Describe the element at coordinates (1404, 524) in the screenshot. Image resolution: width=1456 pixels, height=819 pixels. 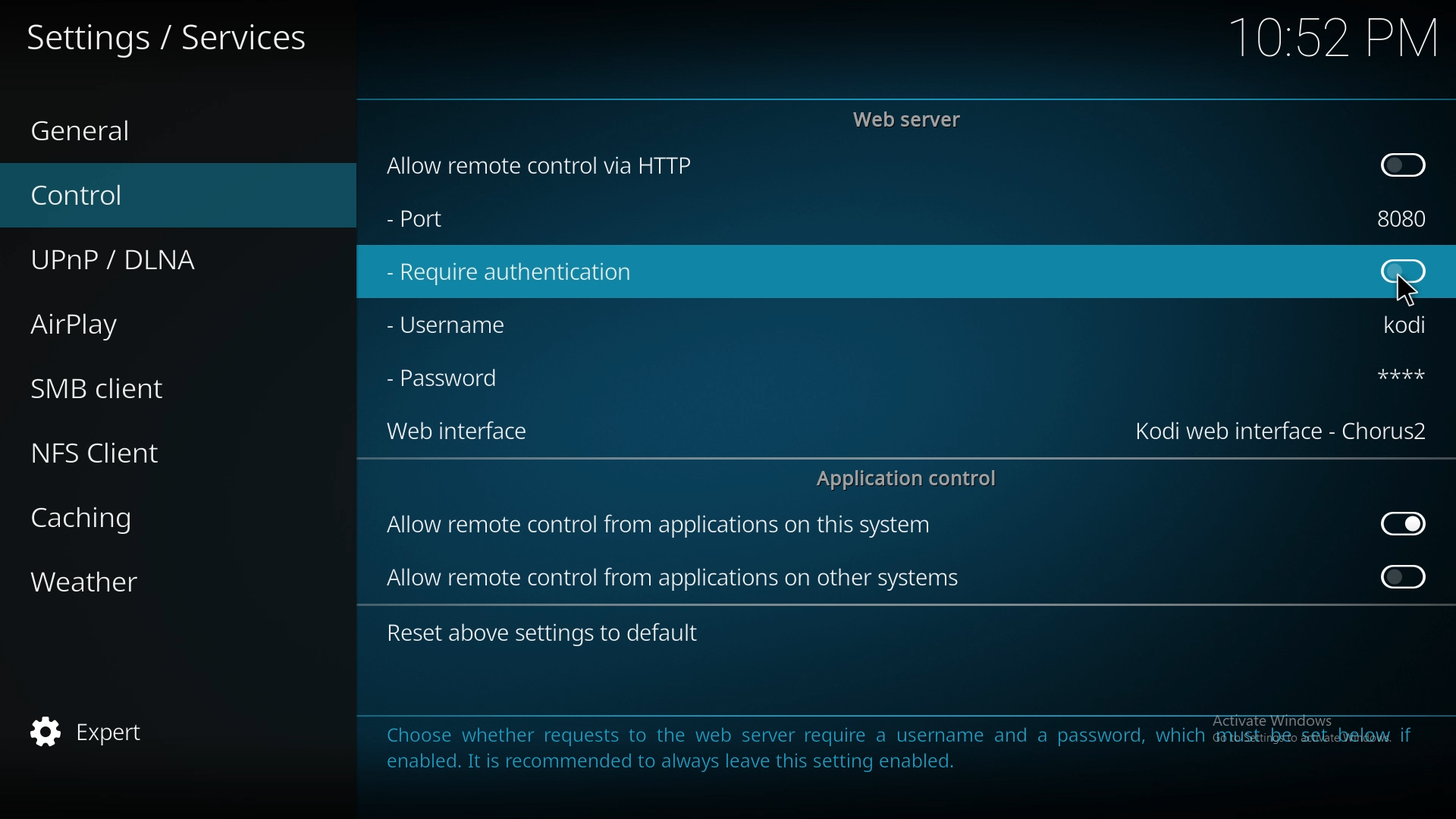
I see `toggle` at that location.